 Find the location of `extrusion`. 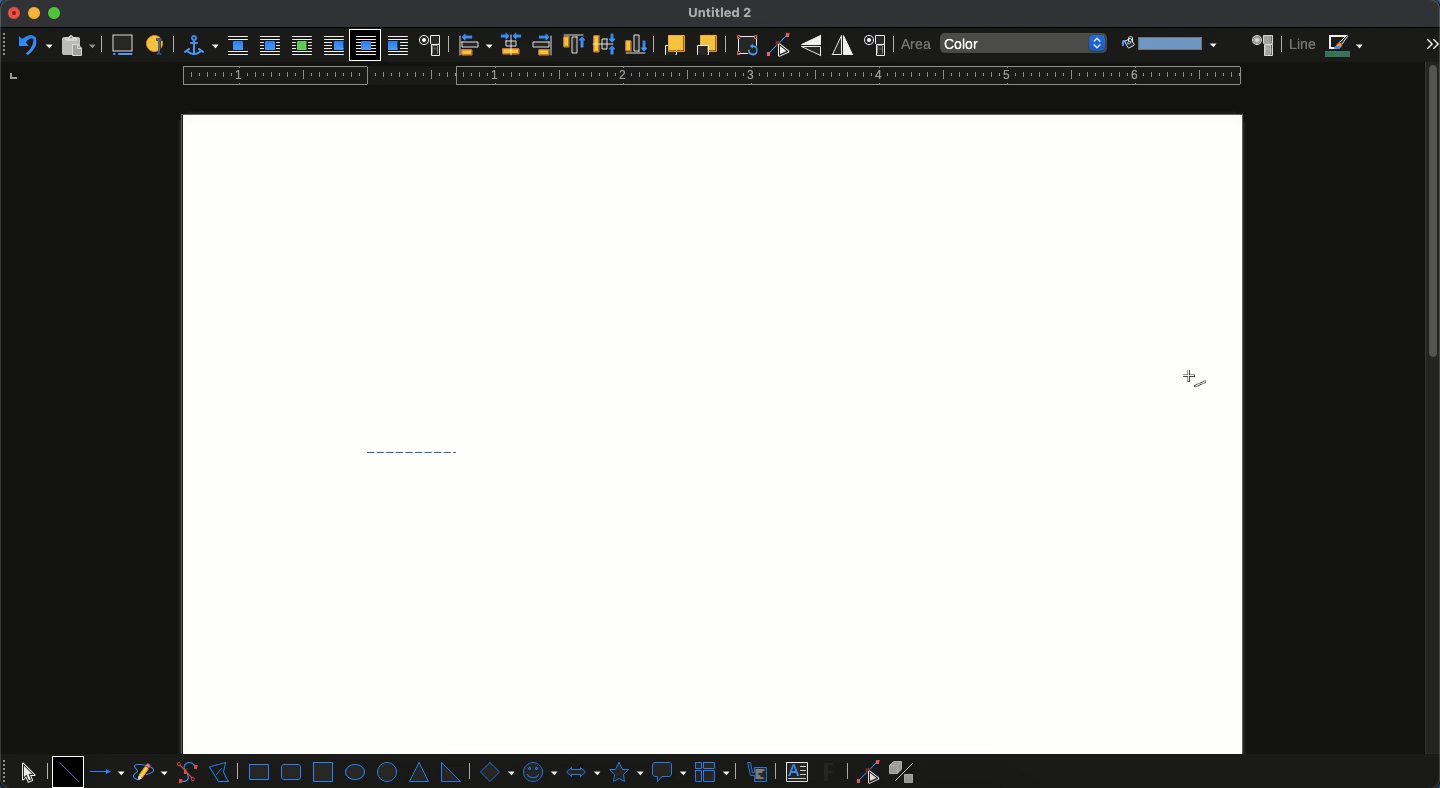

extrusion is located at coordinates (906, 772).